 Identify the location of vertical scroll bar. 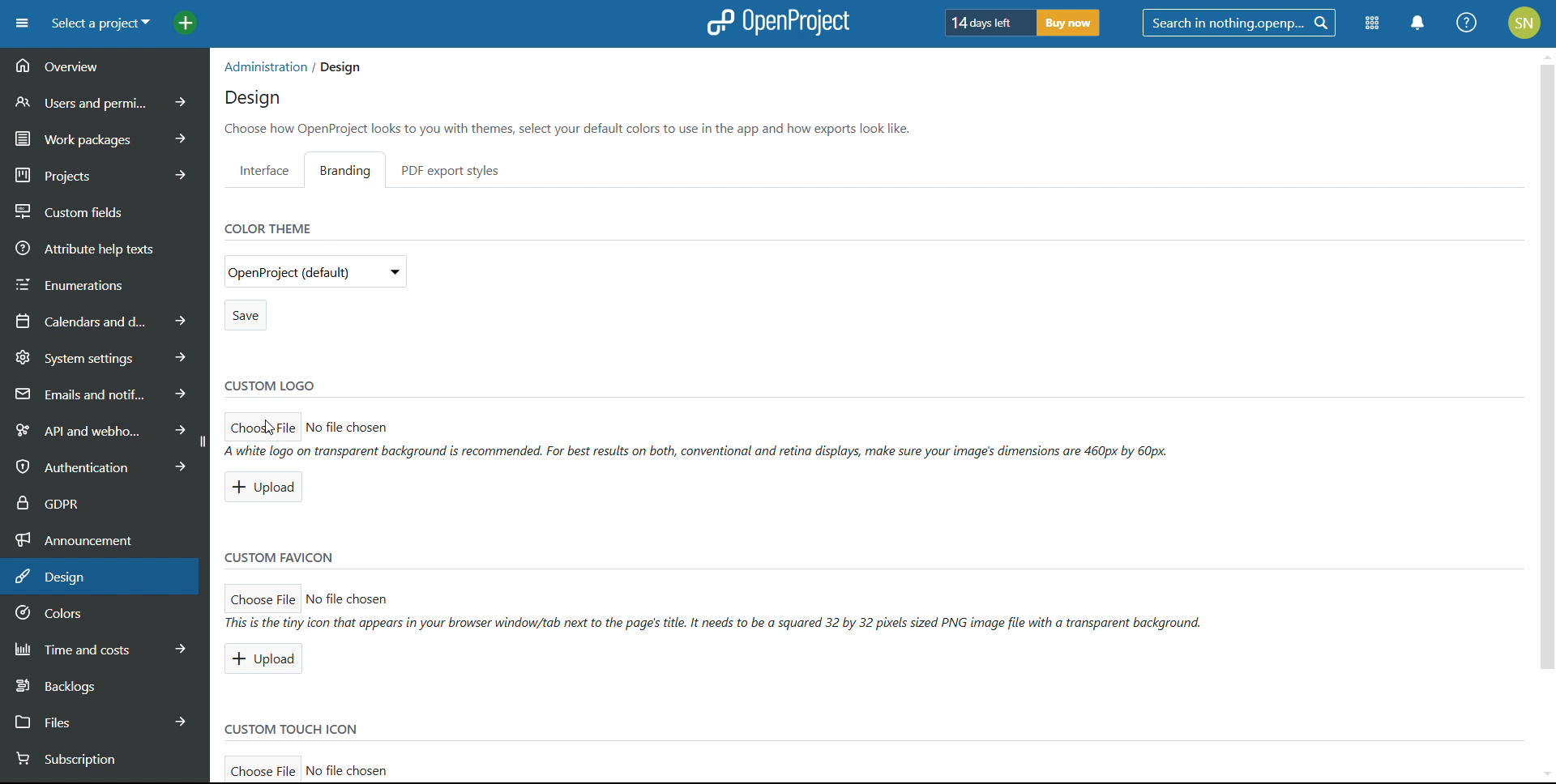
(1545, 382).